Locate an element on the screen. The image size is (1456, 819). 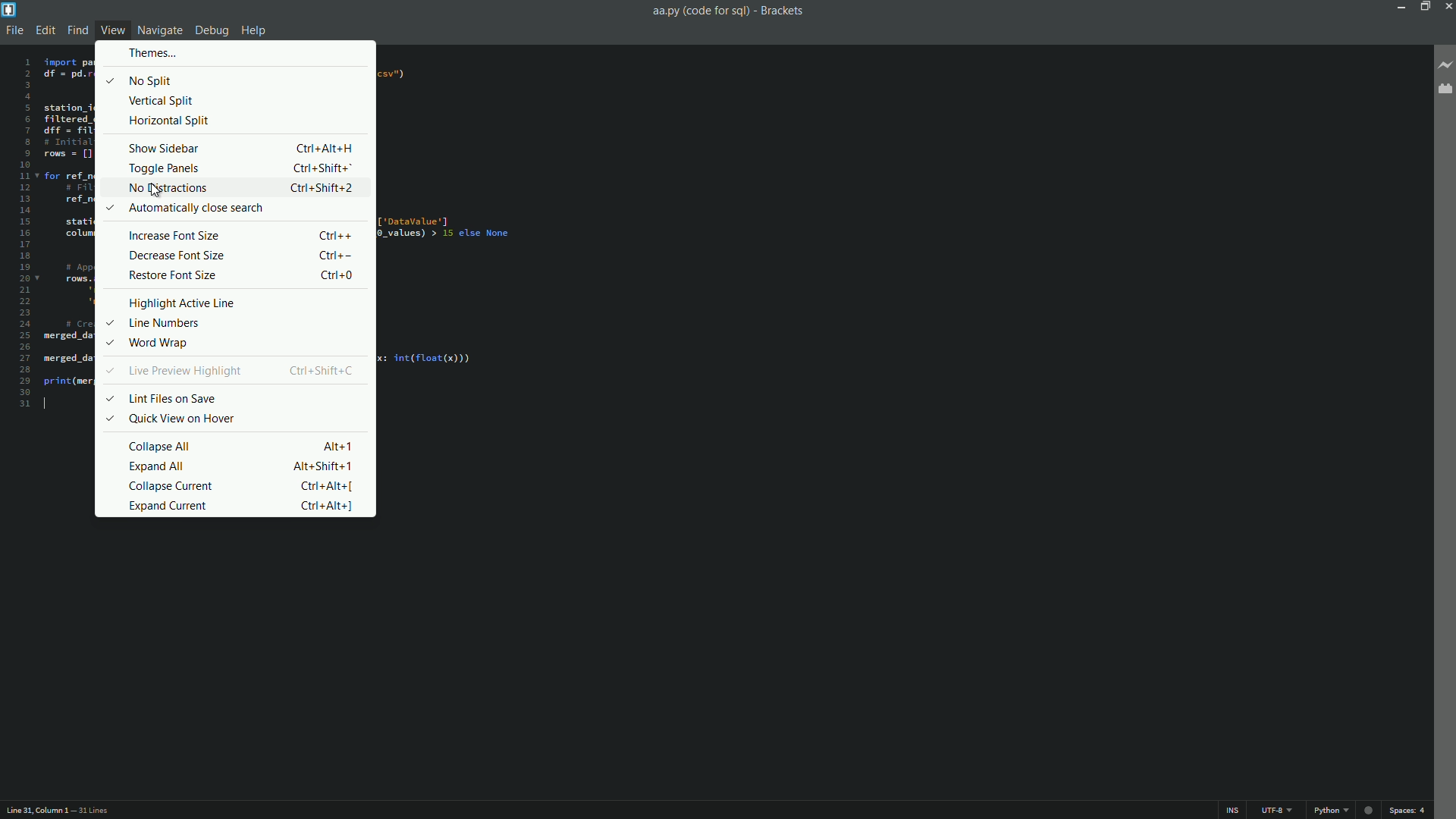
space 4 is located at coordinates (1405, 809).